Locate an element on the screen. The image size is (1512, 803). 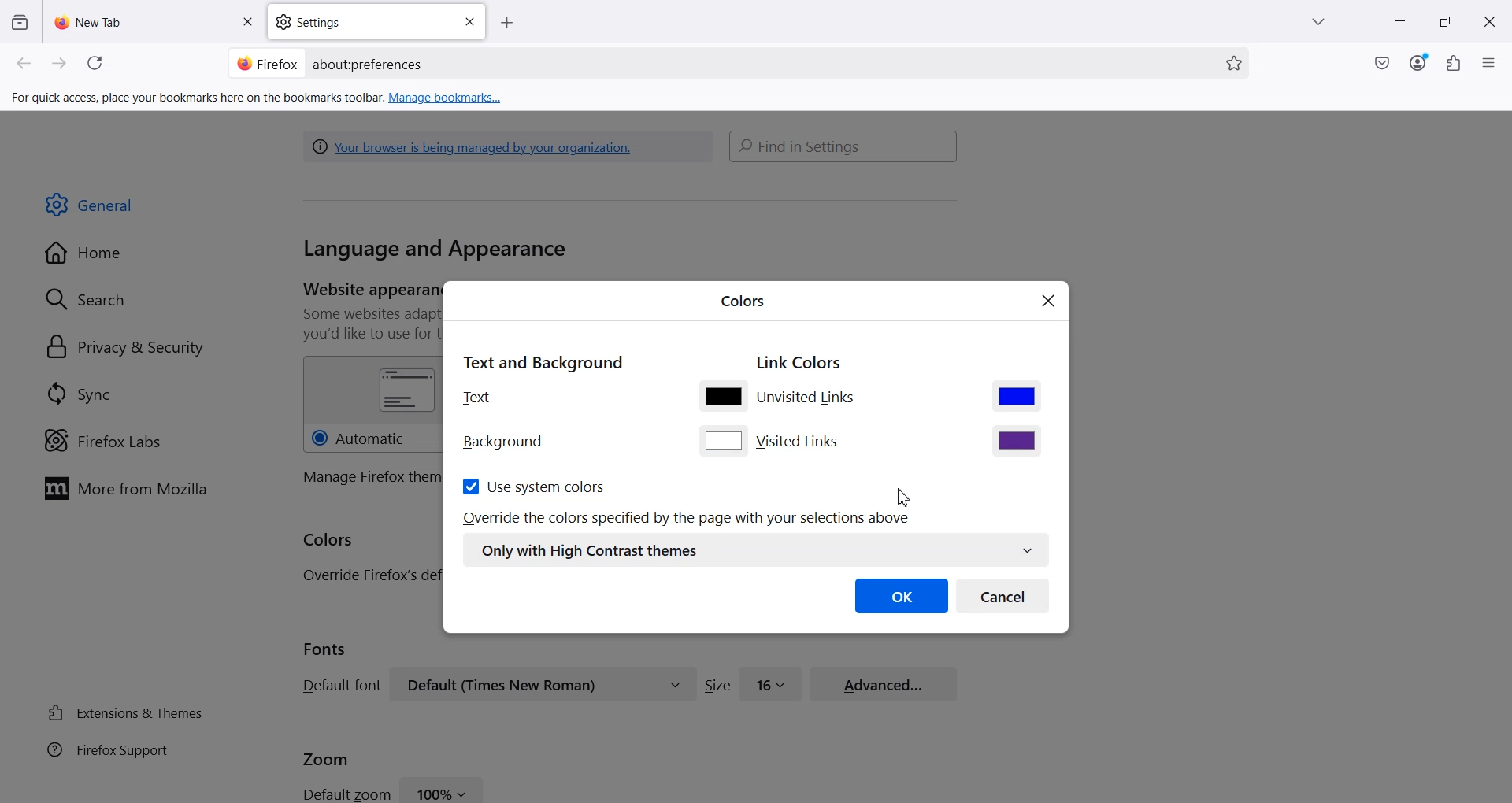
Mac Safe is located at coordinates (1382, 63).